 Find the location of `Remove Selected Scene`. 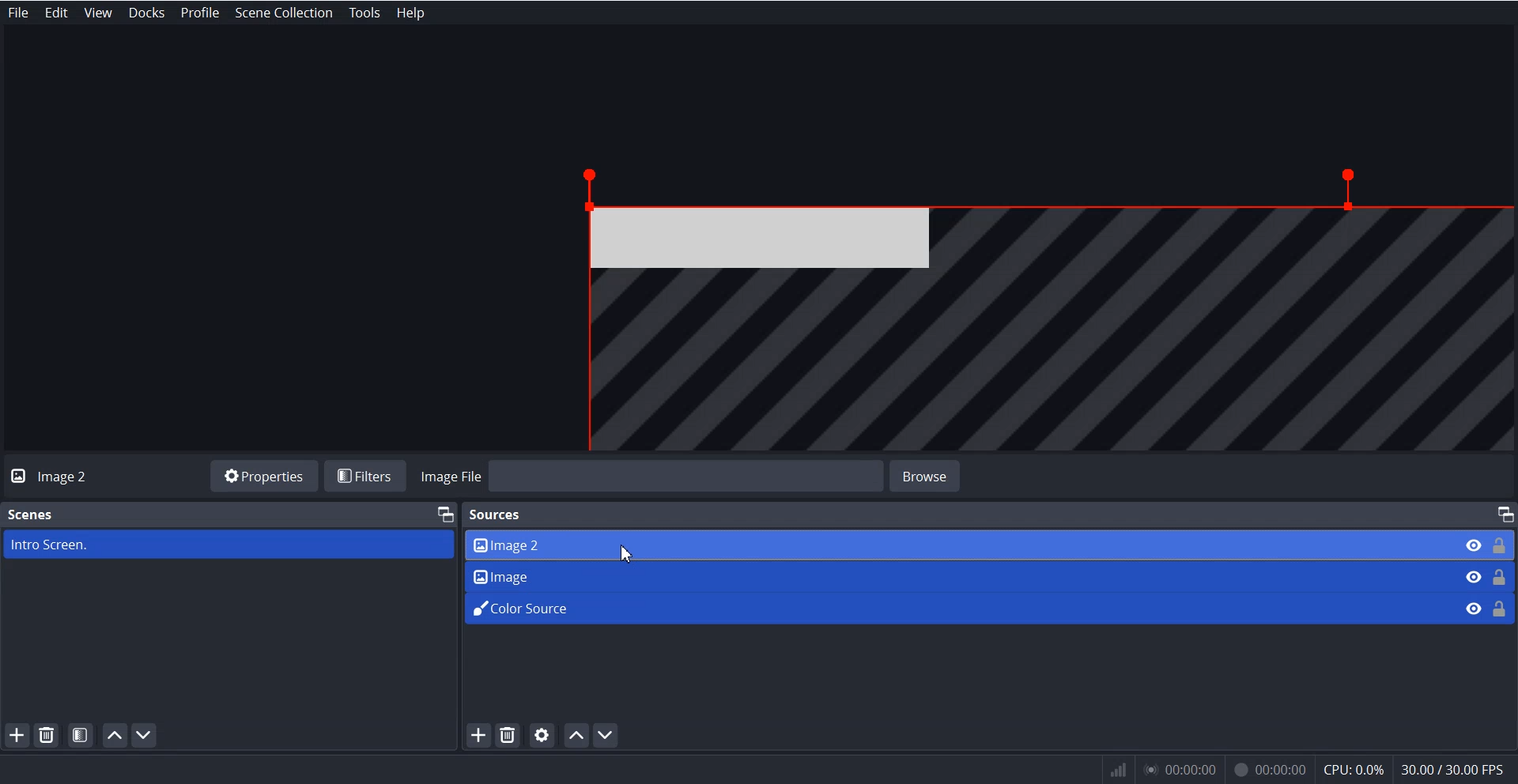

Remove Selected Scene is located at coordinates (48, 735).